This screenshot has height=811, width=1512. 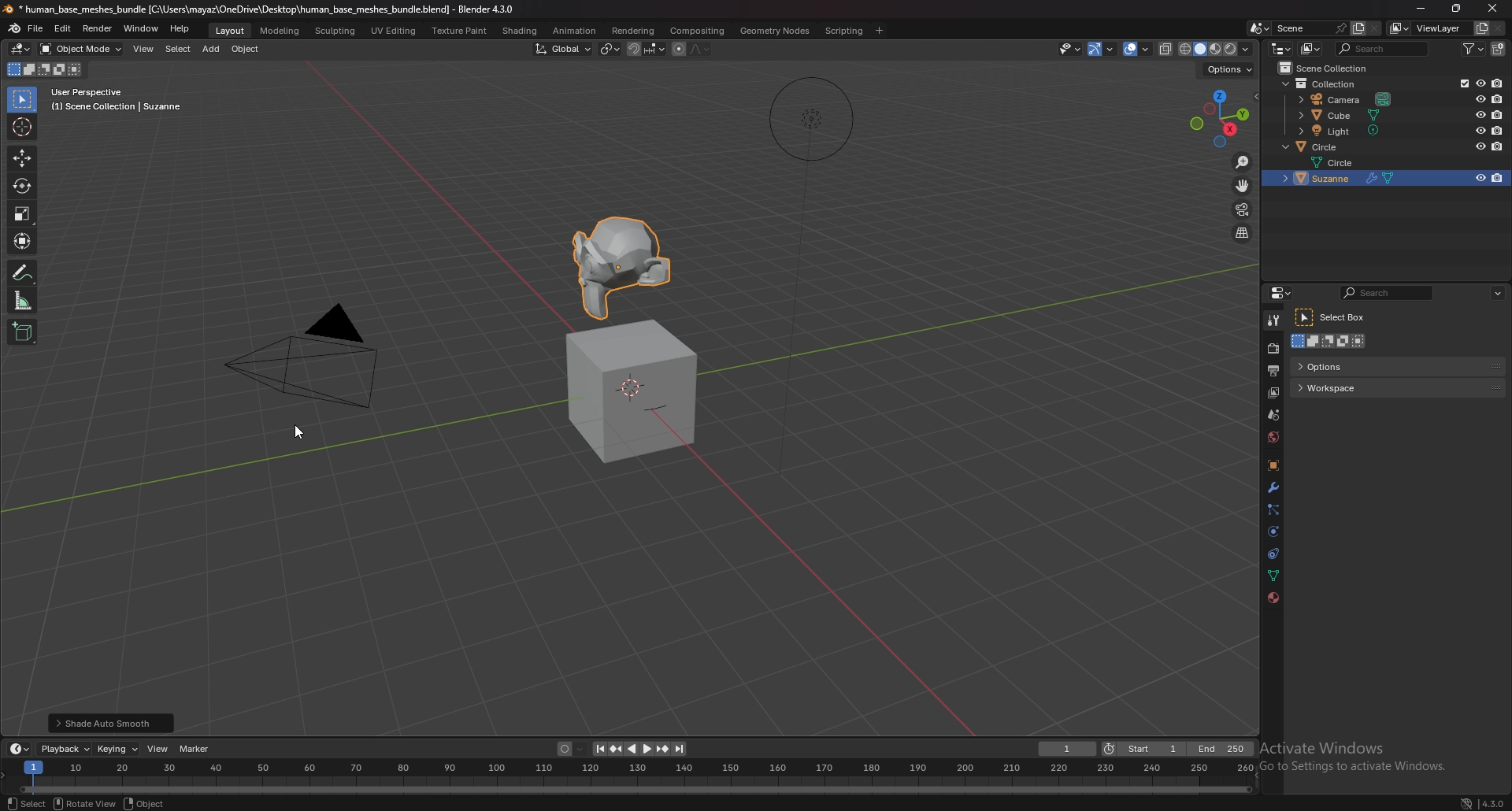 I want to click on new collection, so click(x=1497, y=49).